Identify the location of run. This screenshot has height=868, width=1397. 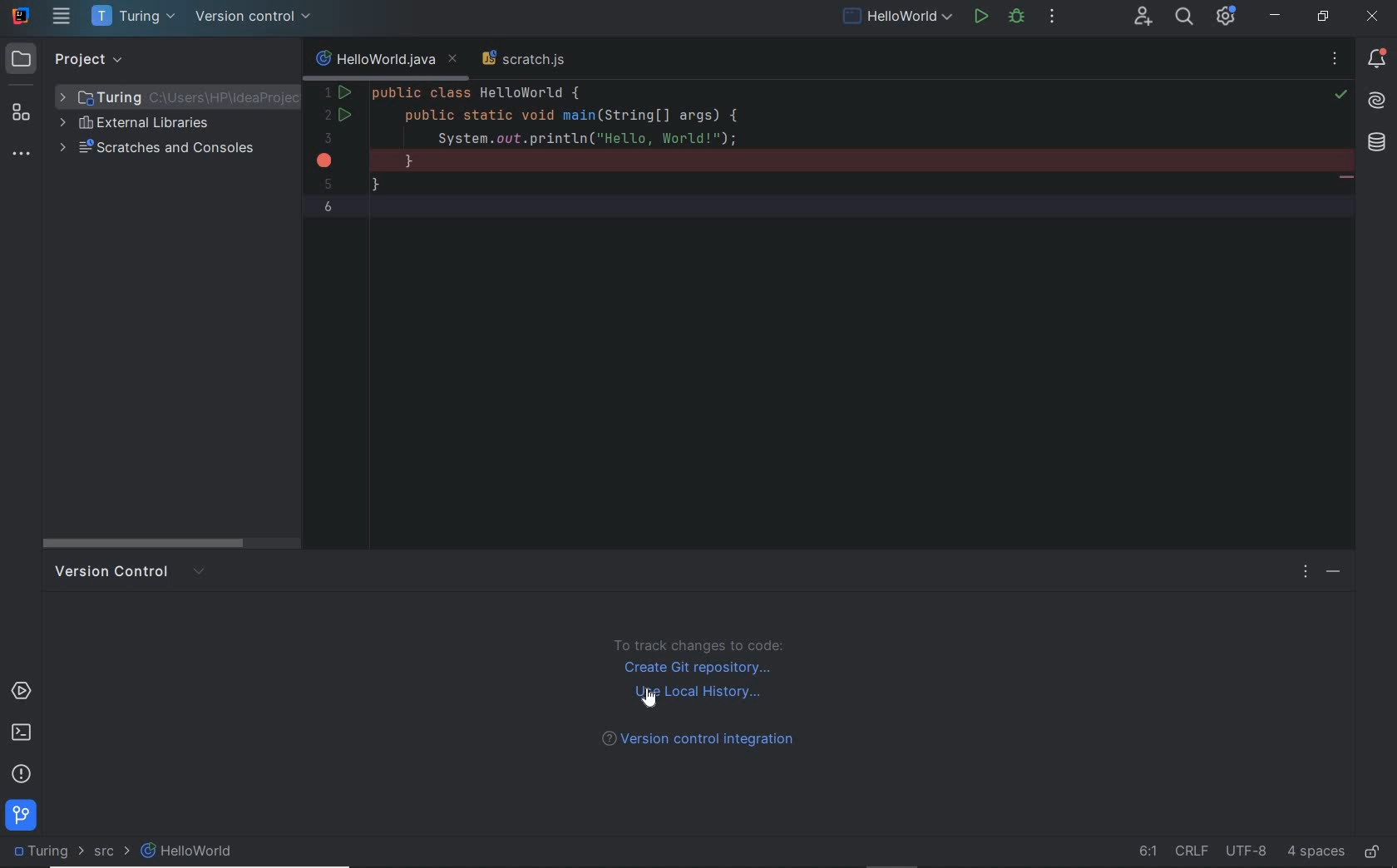
(983, 17).